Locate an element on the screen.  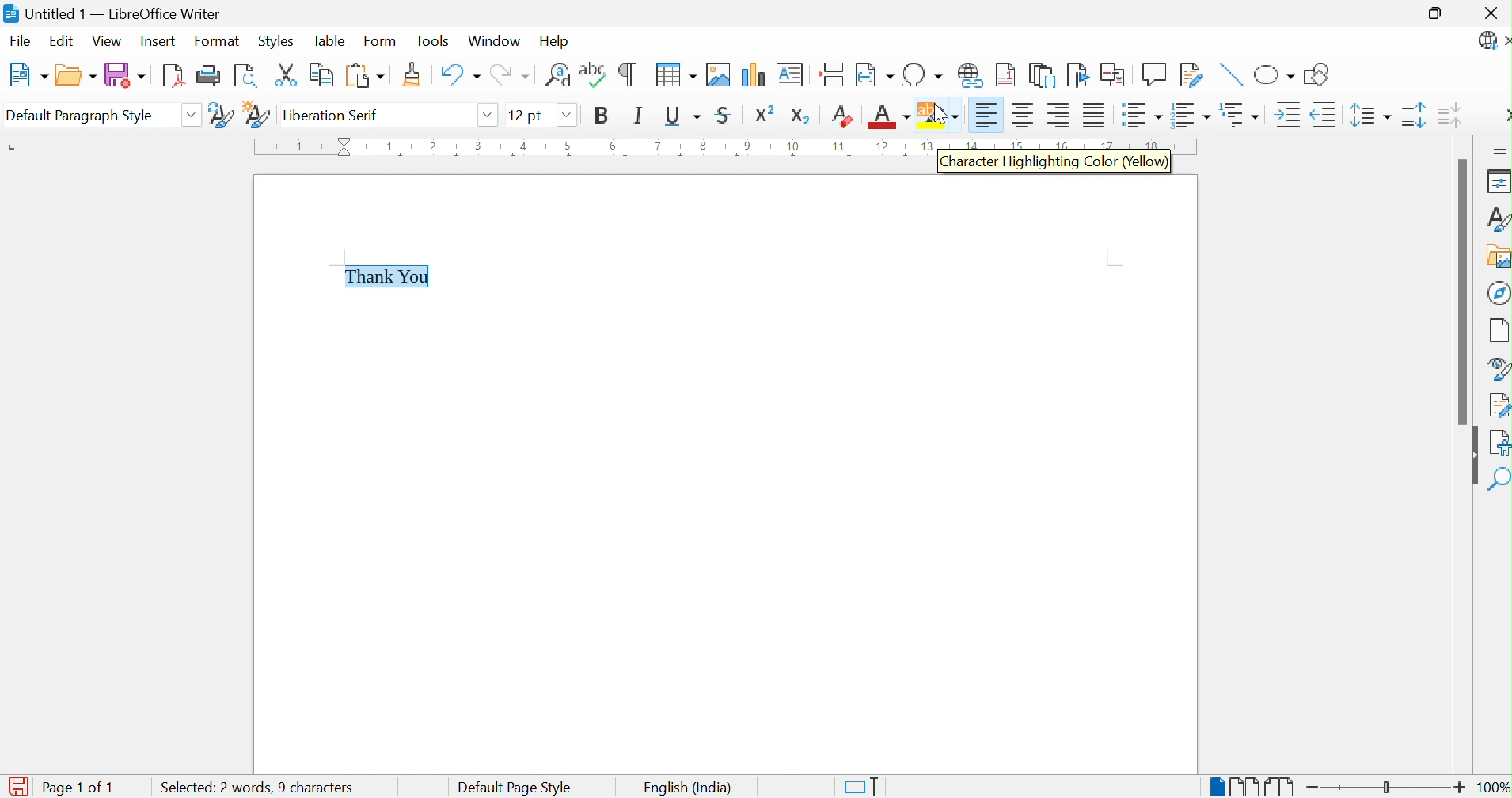
Export as PDF is located at coordinates (173, 76).